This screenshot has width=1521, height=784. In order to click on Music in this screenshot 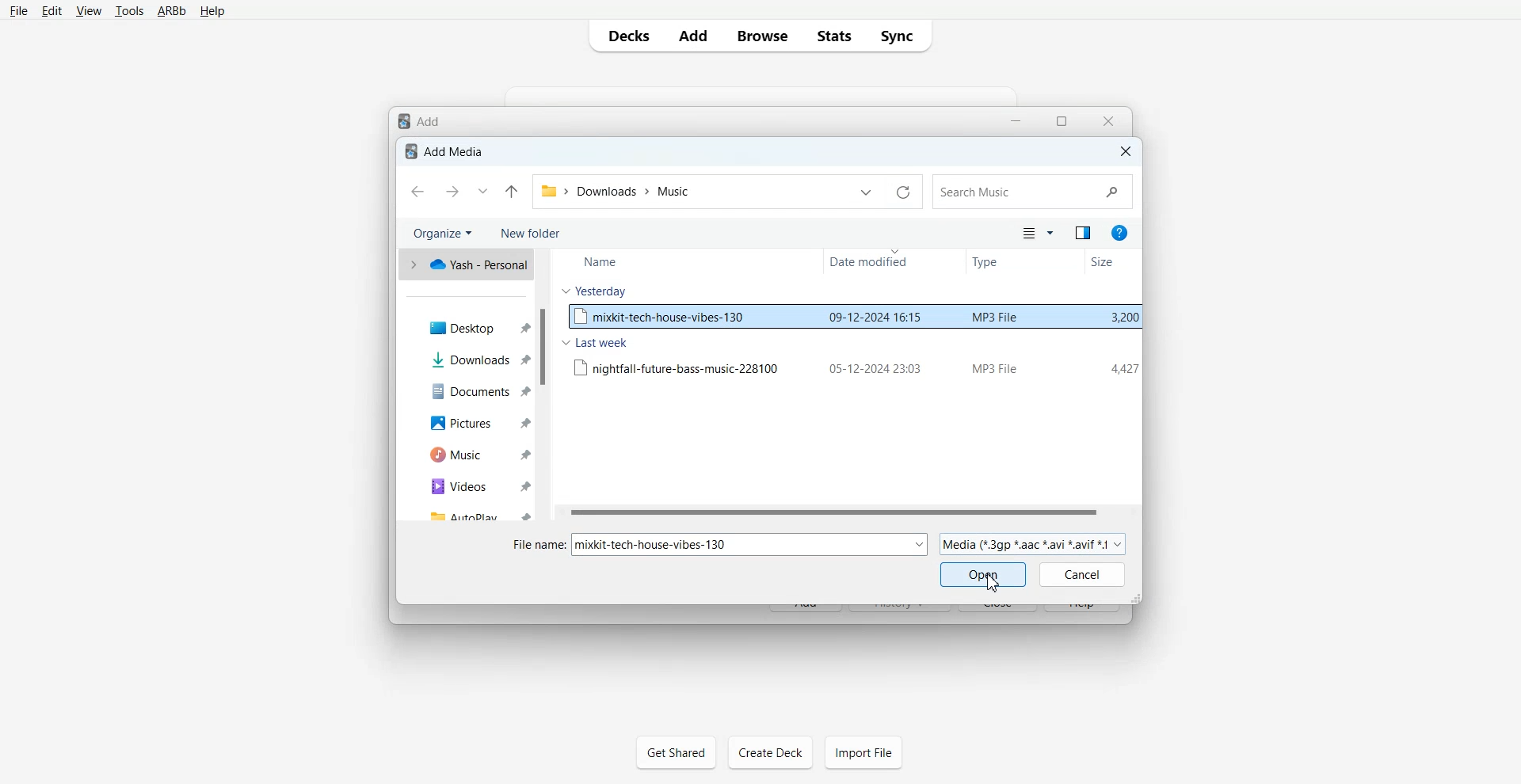, I will do `click(477, 455)`.